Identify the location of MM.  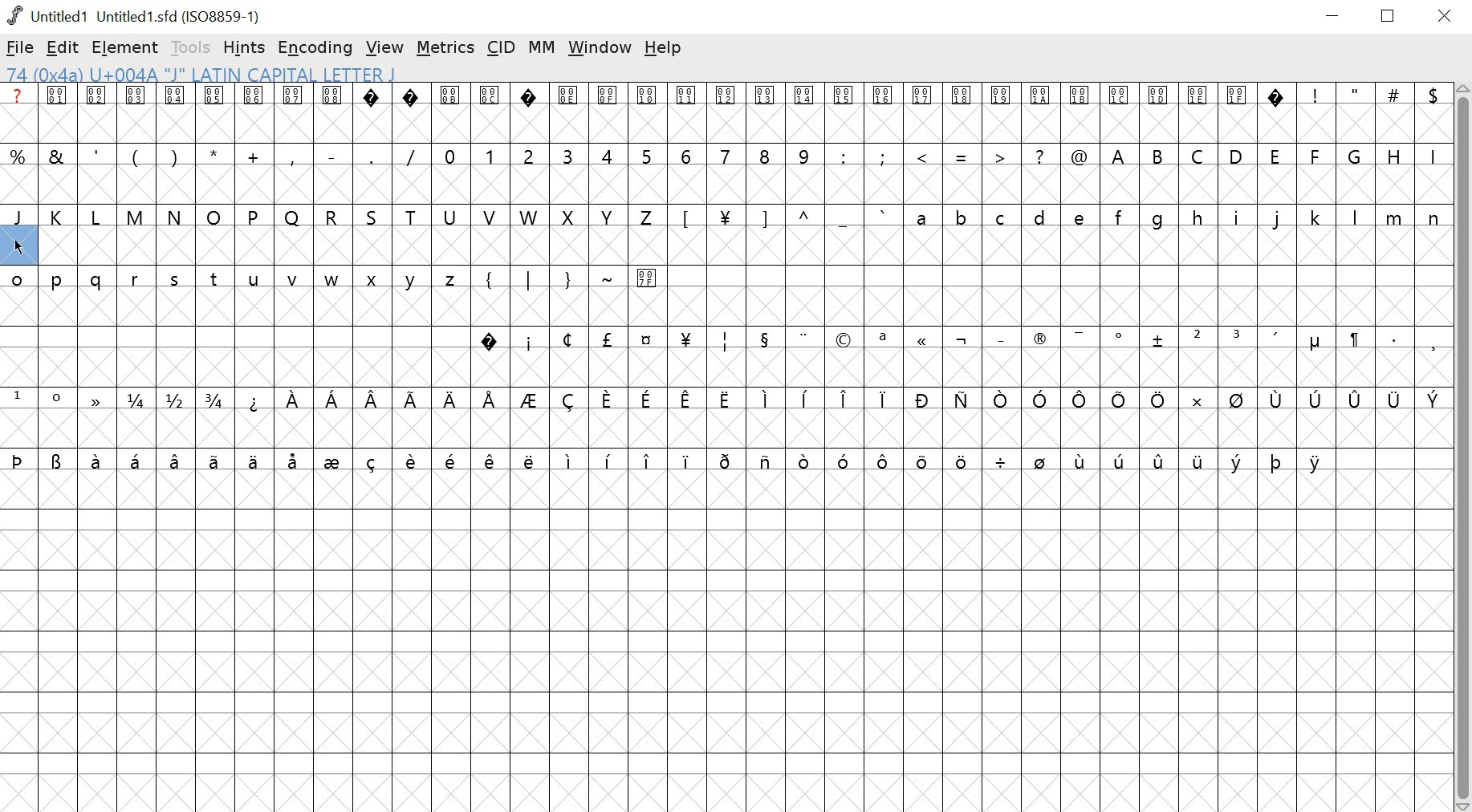
(543, 47).